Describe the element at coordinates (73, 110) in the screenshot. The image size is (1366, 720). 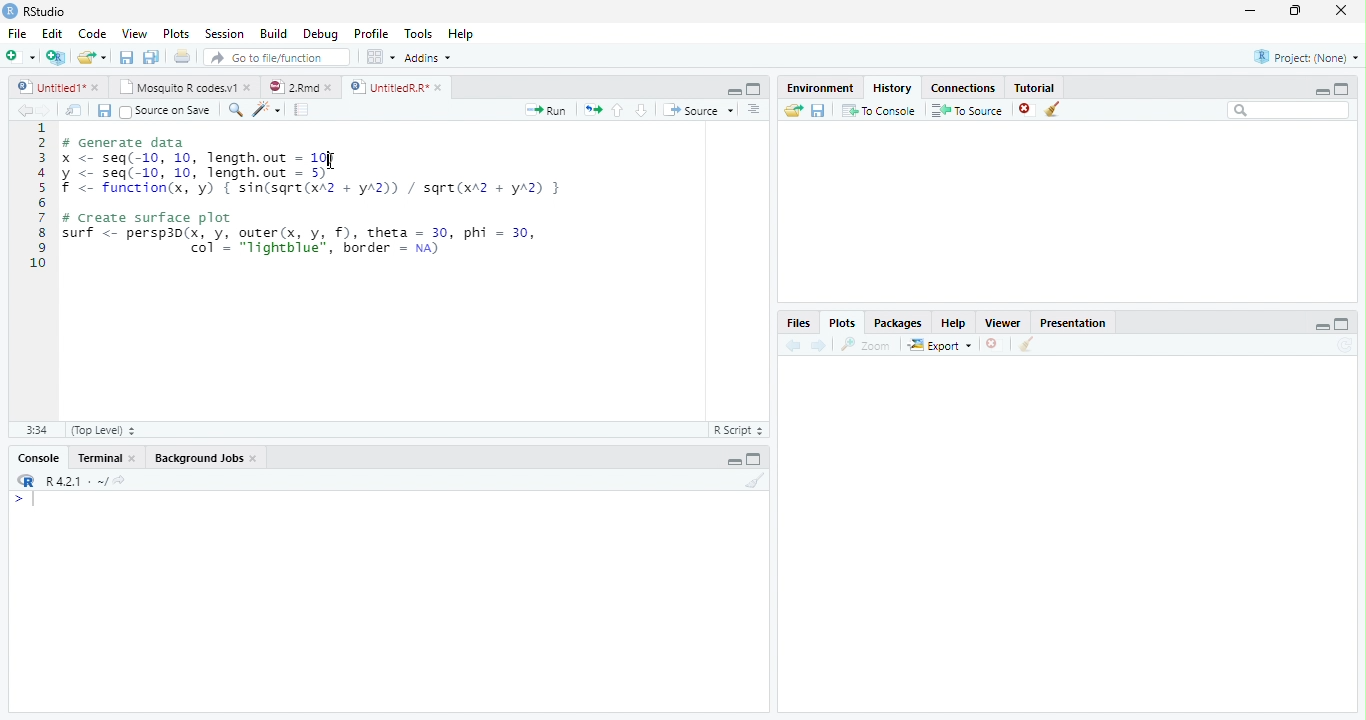
I see `Show in new window` at that location.